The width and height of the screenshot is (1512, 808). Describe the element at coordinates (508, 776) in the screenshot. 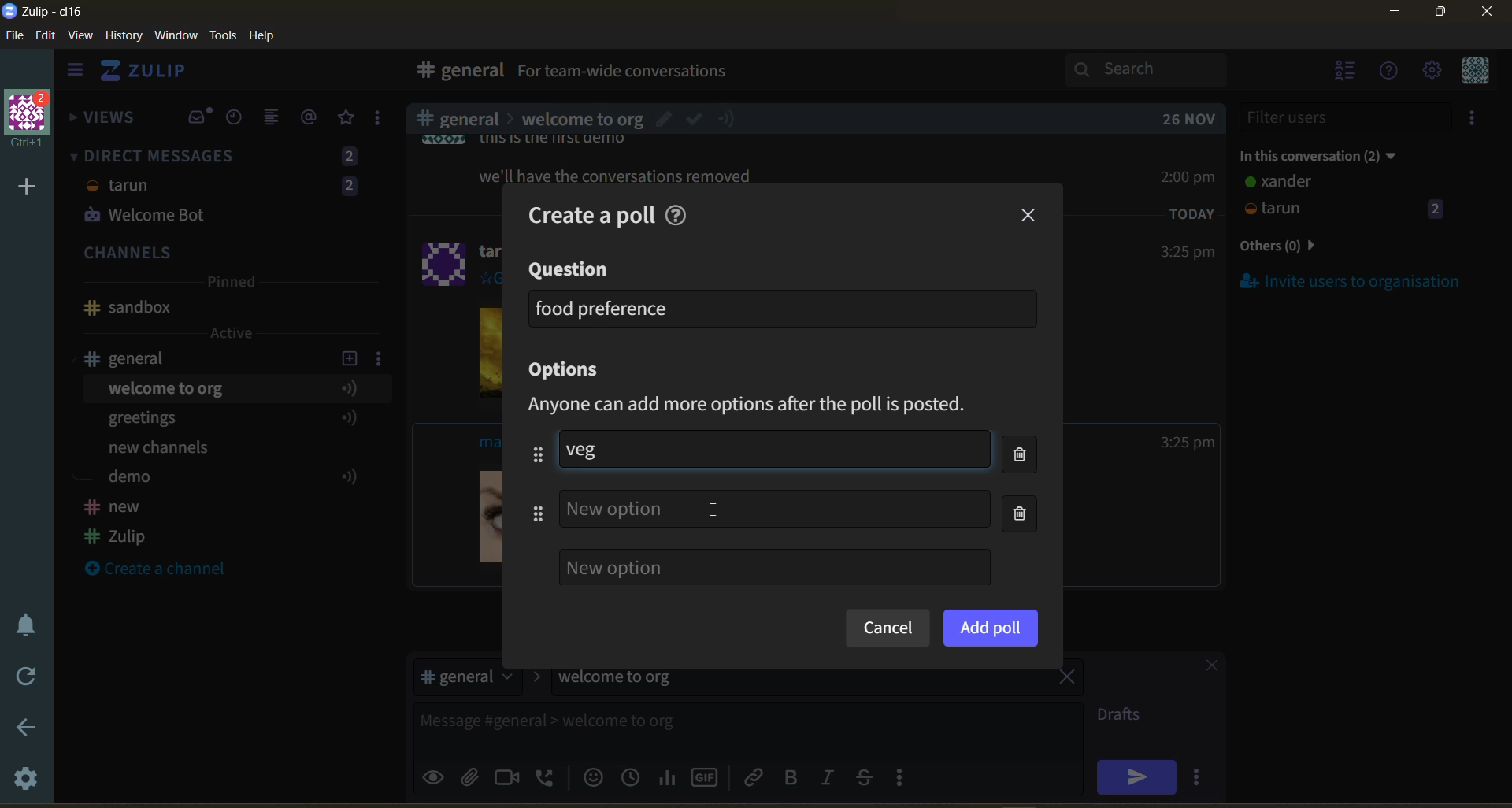

I see `add video call` at that location.